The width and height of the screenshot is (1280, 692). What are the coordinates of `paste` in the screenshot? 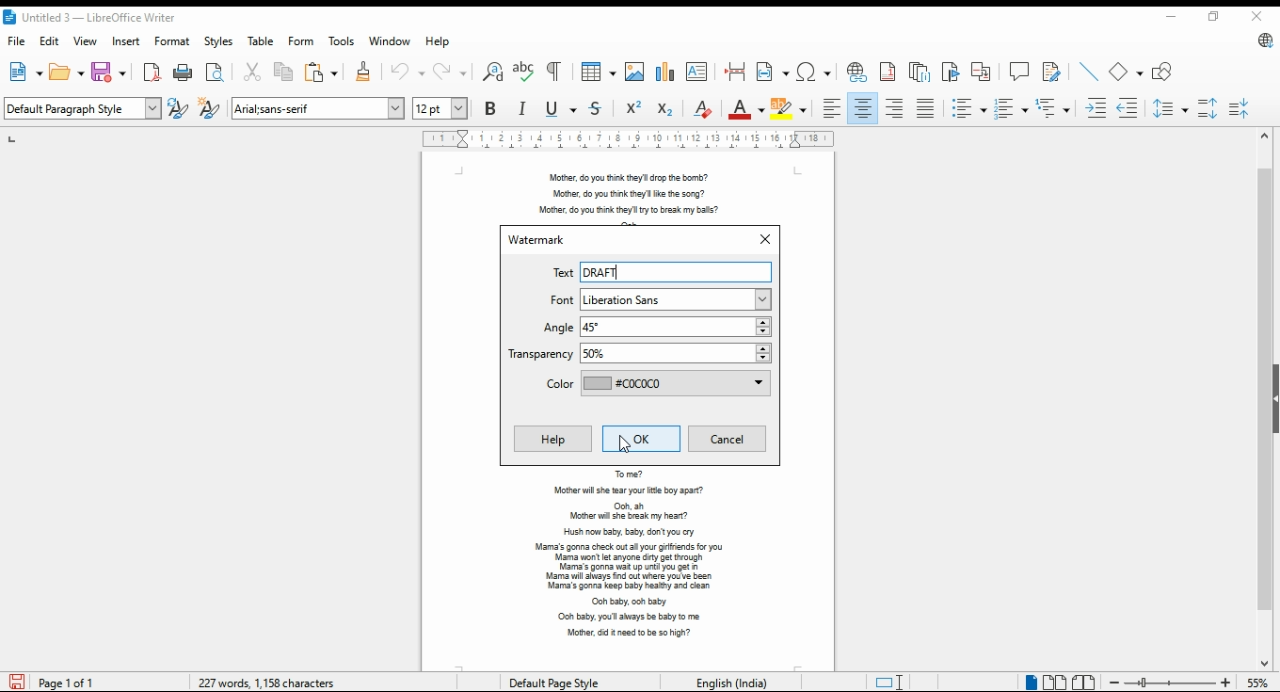 It's located at (322, 72).